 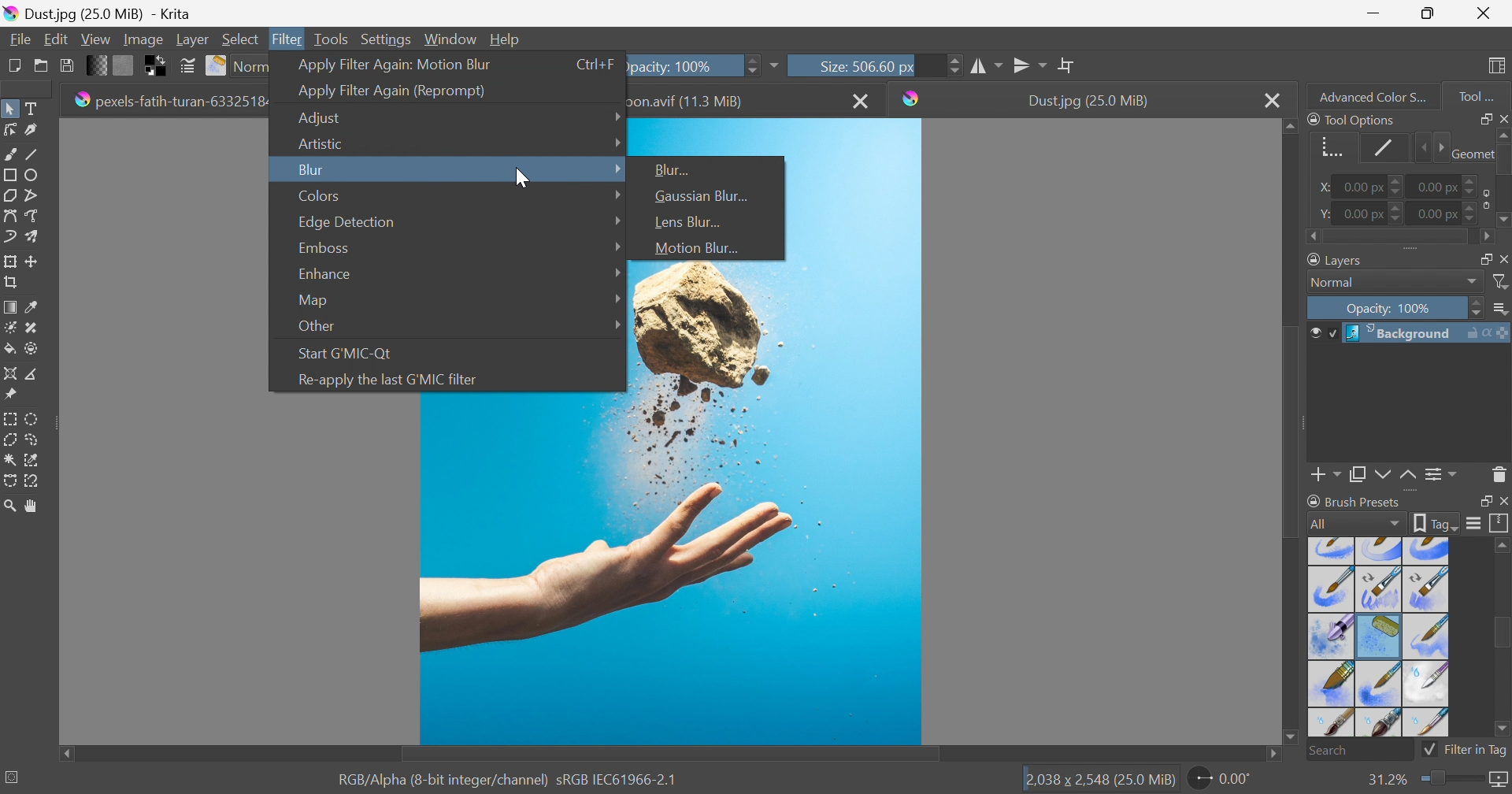 I want to click on 0.00 px, so click(x=1436, y=214).